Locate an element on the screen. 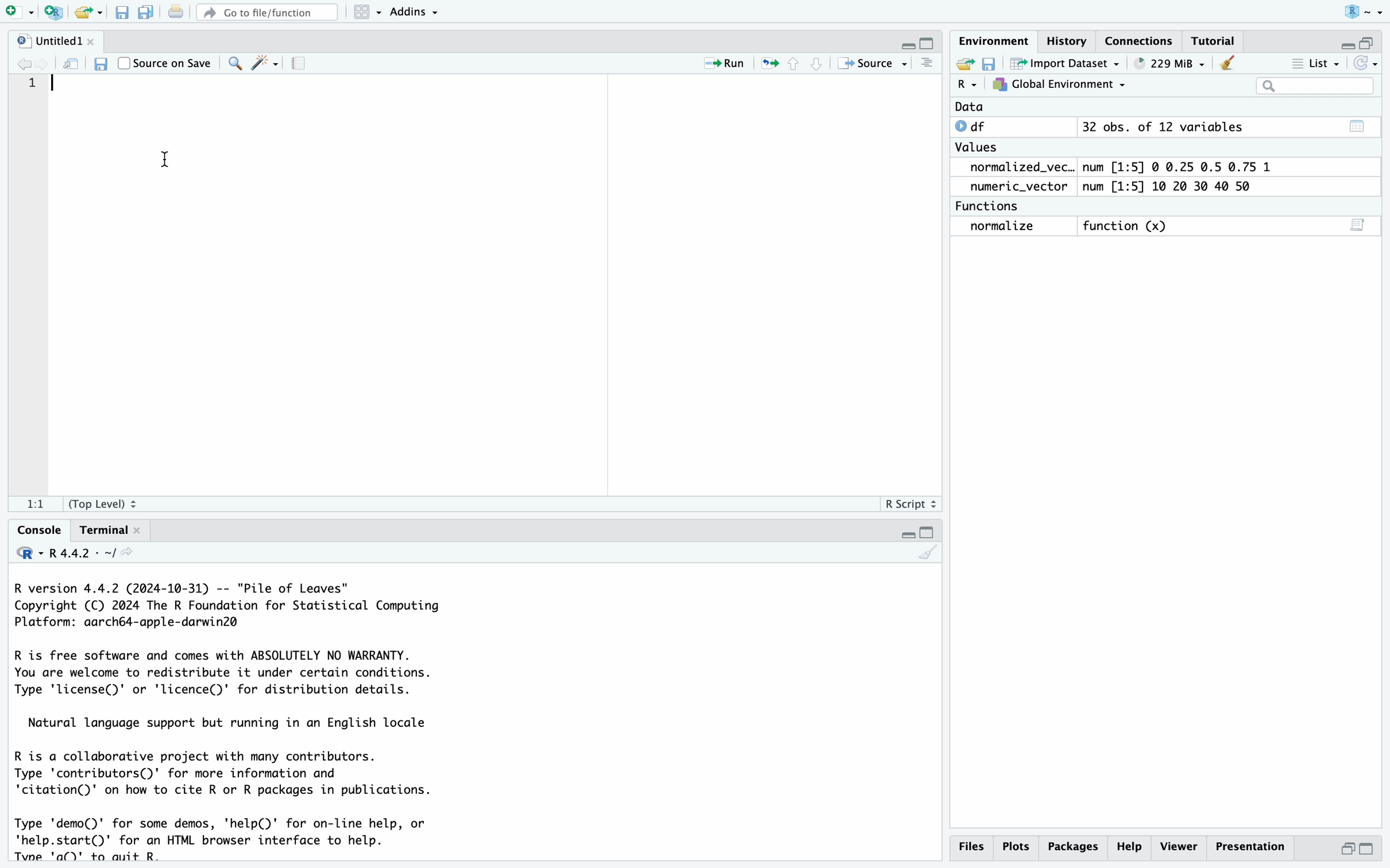 The image size is (1390, 868). Global Environment is located at coordinates (1059, 84).